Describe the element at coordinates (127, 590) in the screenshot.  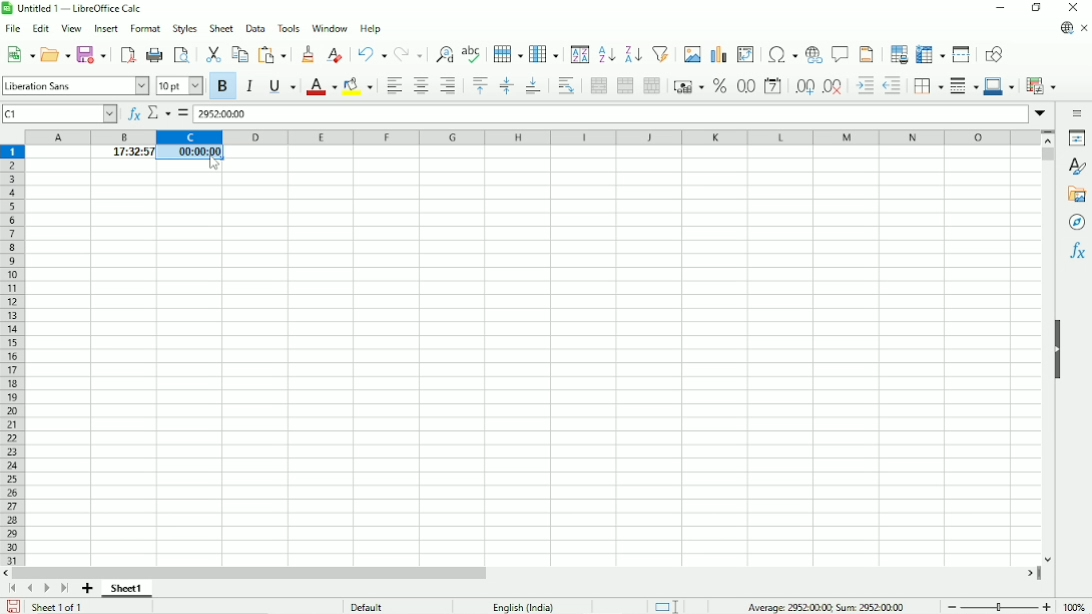
I see `Sheet 1` at that location.